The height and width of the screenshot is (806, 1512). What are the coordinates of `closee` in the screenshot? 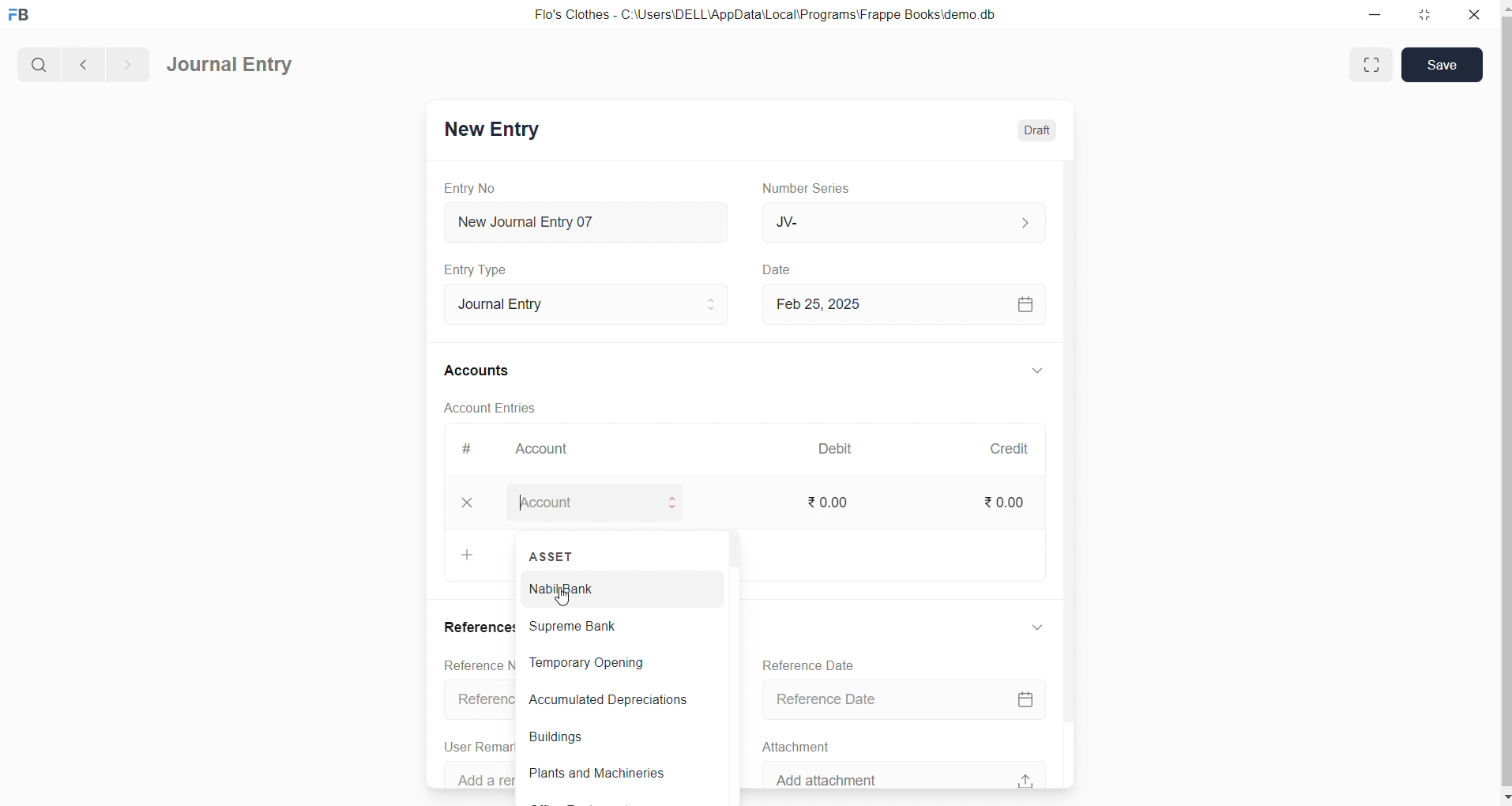 It's located at (476, 503).